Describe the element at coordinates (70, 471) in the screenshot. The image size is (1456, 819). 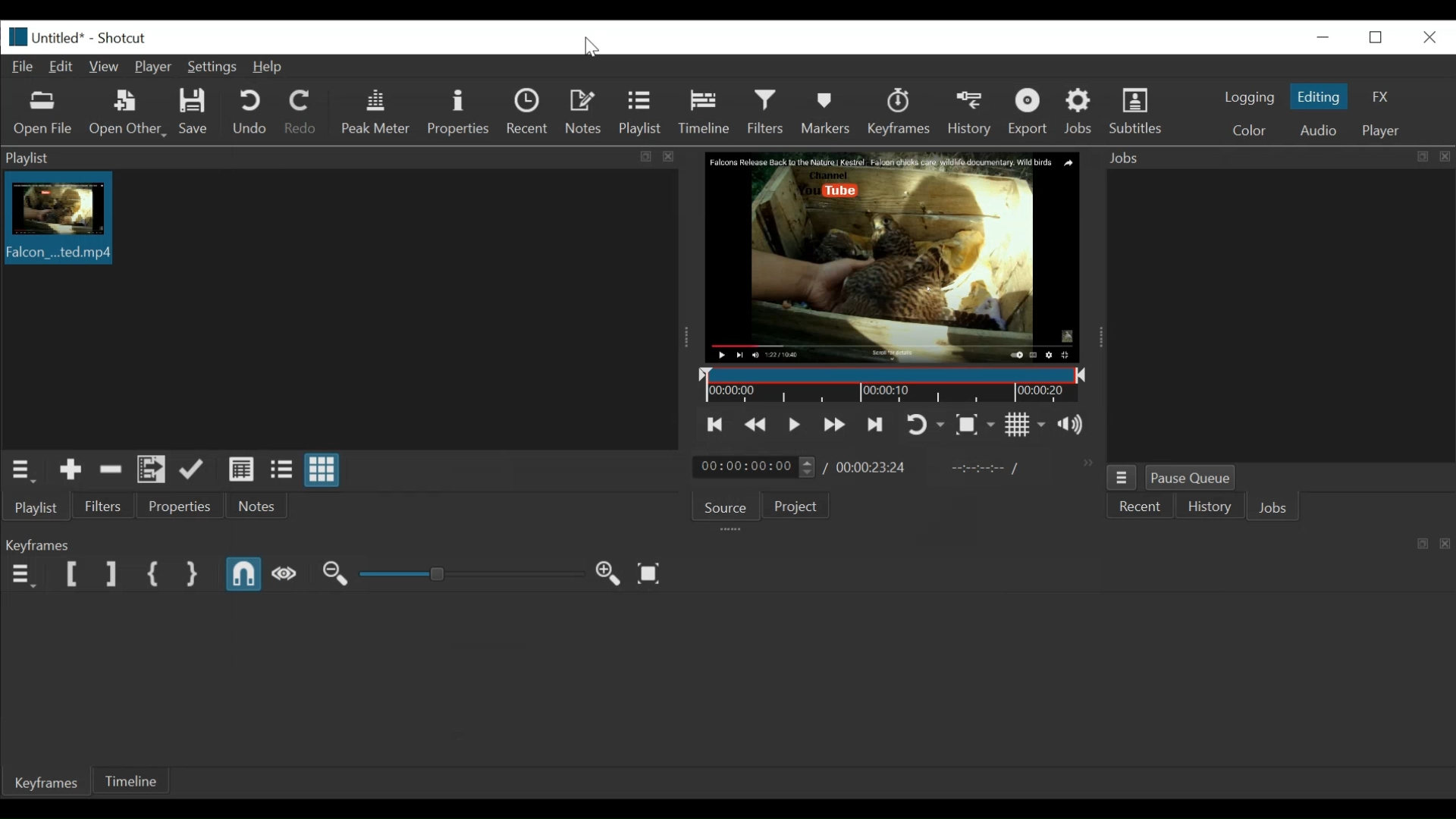
I see `Add Source the playlist` at that location.